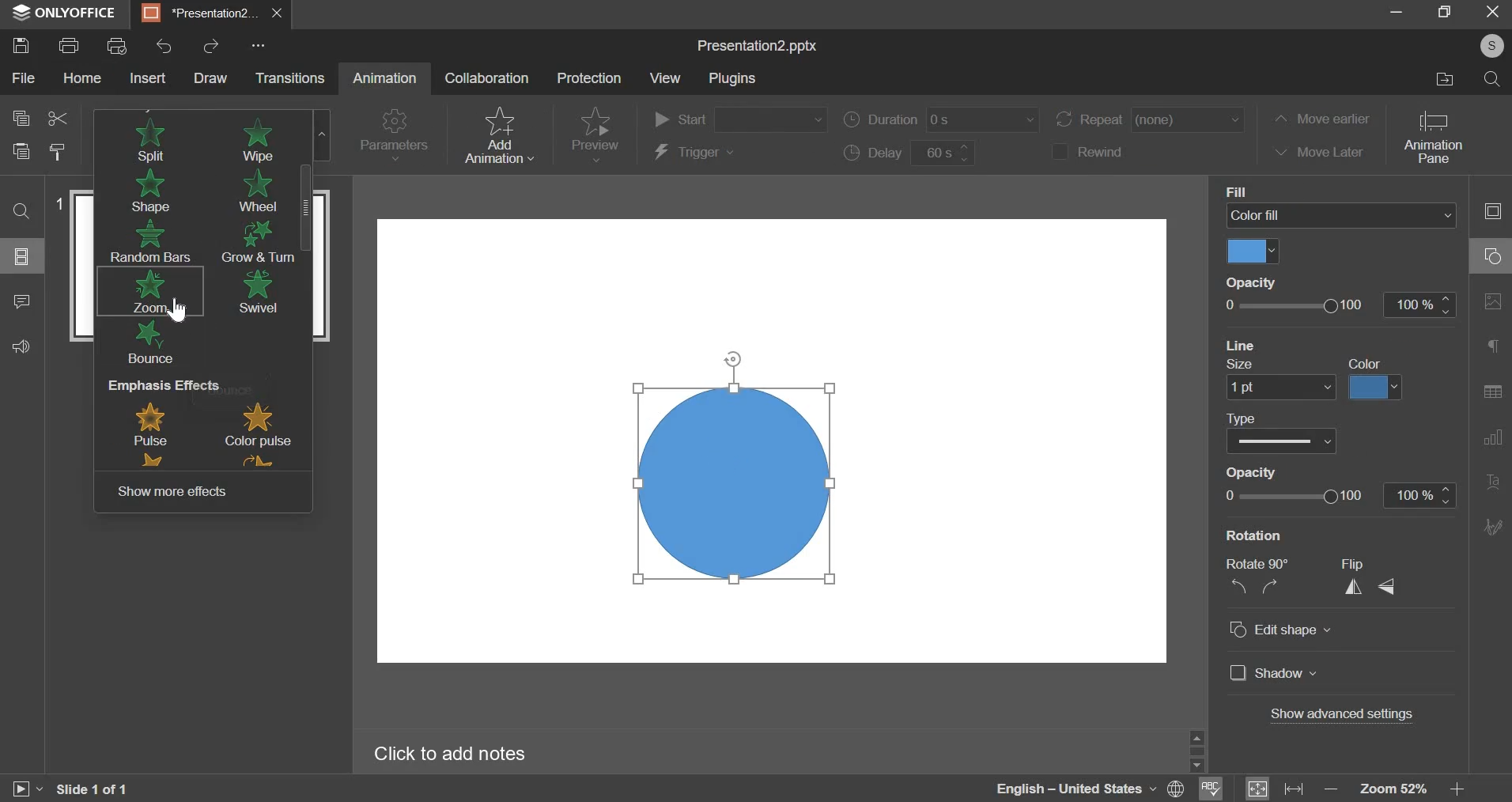 The width and height of the screenshot is (1512, 802). I want to click on paste, so click(21, 149).